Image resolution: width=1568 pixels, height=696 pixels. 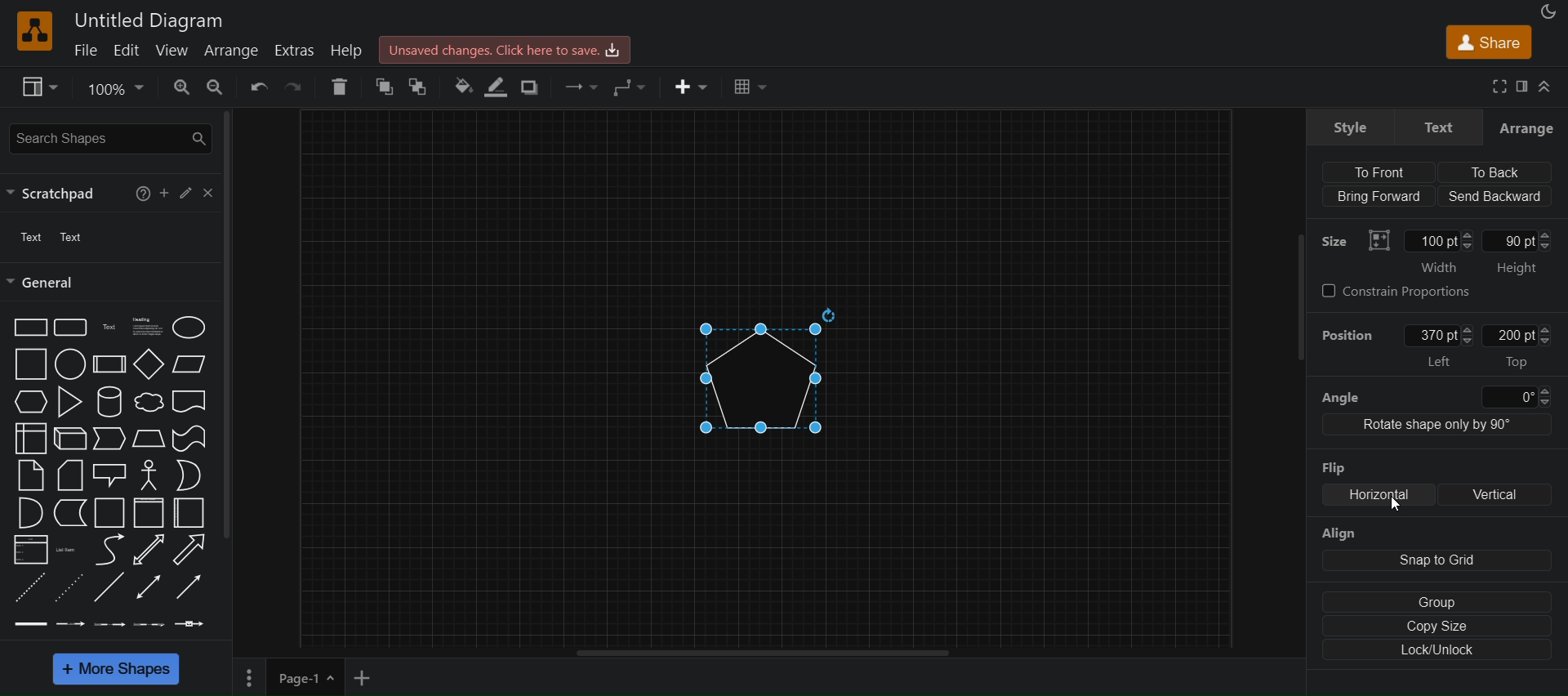 I want to click on text 1, so click(x=33, y=237).